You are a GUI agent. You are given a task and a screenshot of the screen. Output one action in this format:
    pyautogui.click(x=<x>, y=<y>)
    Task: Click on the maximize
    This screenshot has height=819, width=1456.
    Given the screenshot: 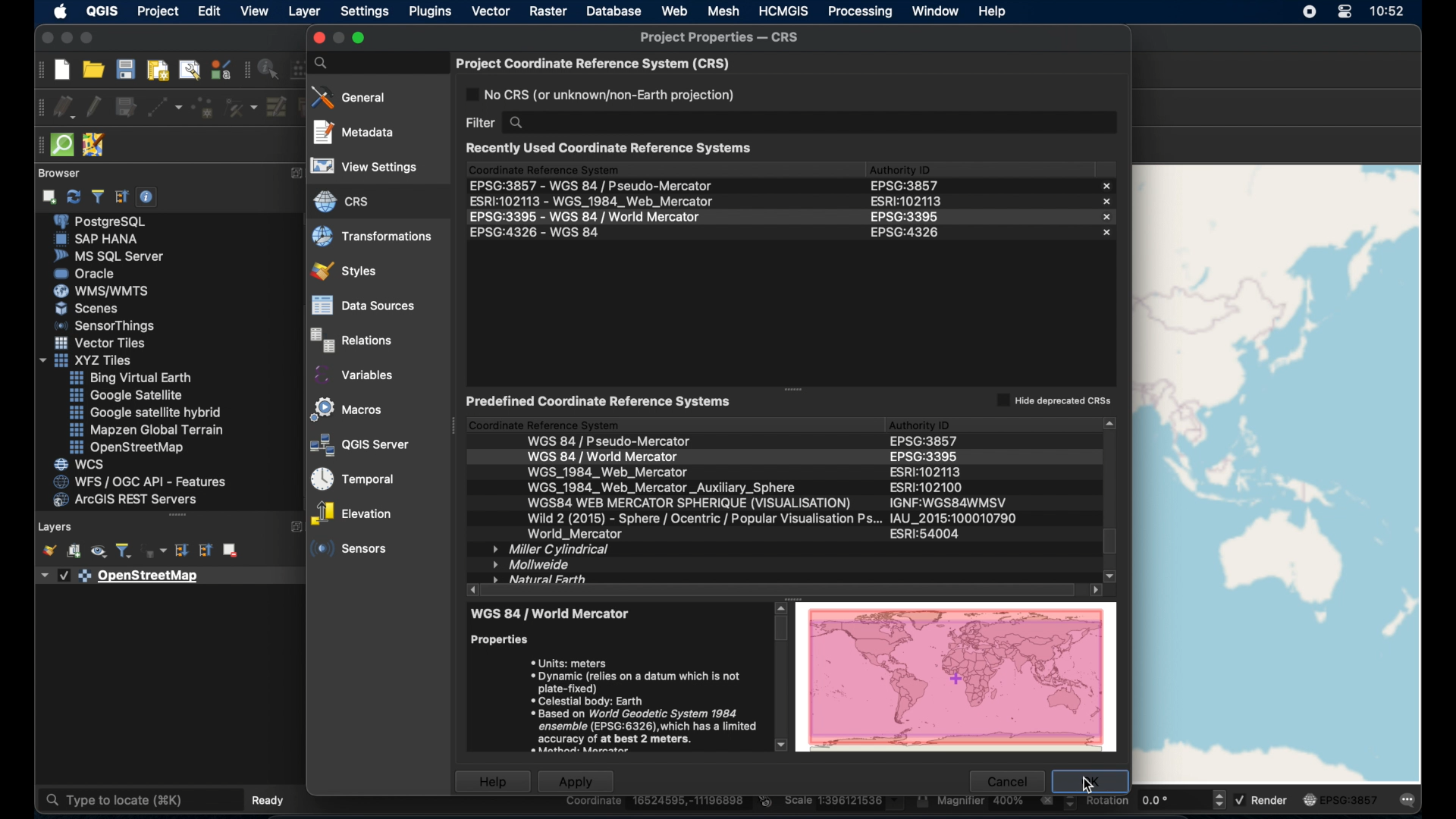 What is the action you would take?
    pyautogui.click(x=362, y=36)
    